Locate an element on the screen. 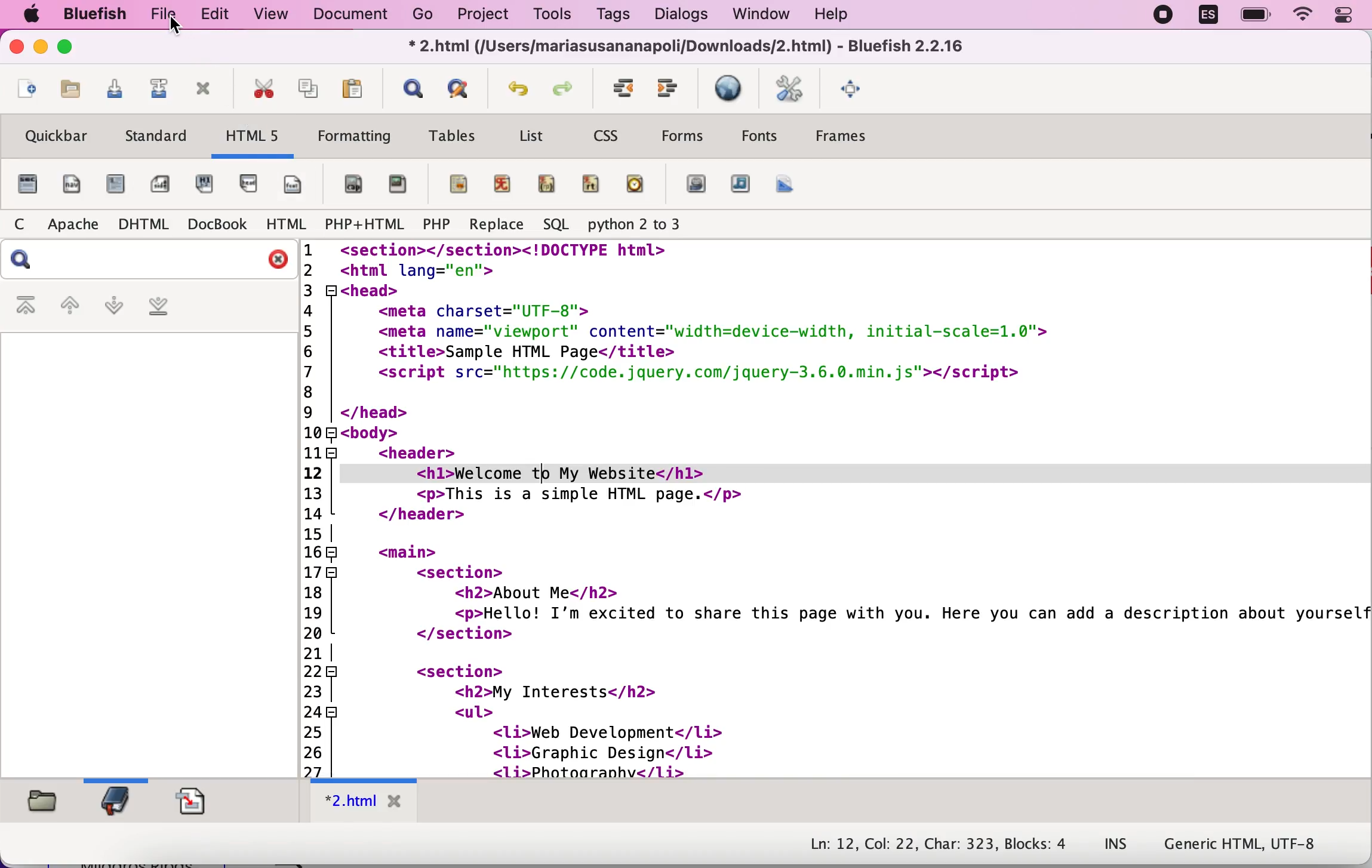 Image resolution: width=1372 pixels, height=868 pixels. quickbar is located at coordinates (55, 137).